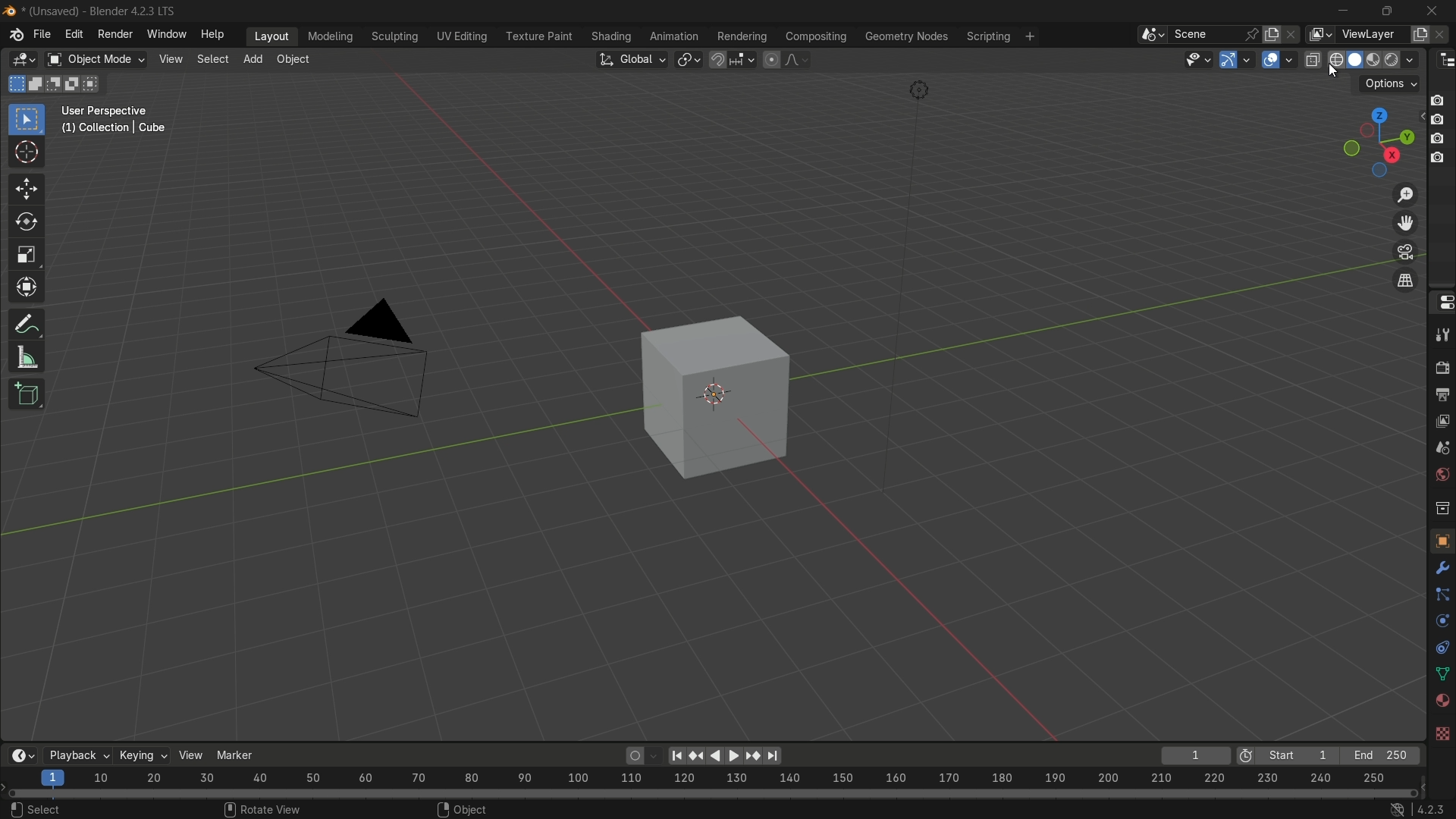  Describe the element at coordinates (729, 399) in the screenshot. I see `object` at that location.